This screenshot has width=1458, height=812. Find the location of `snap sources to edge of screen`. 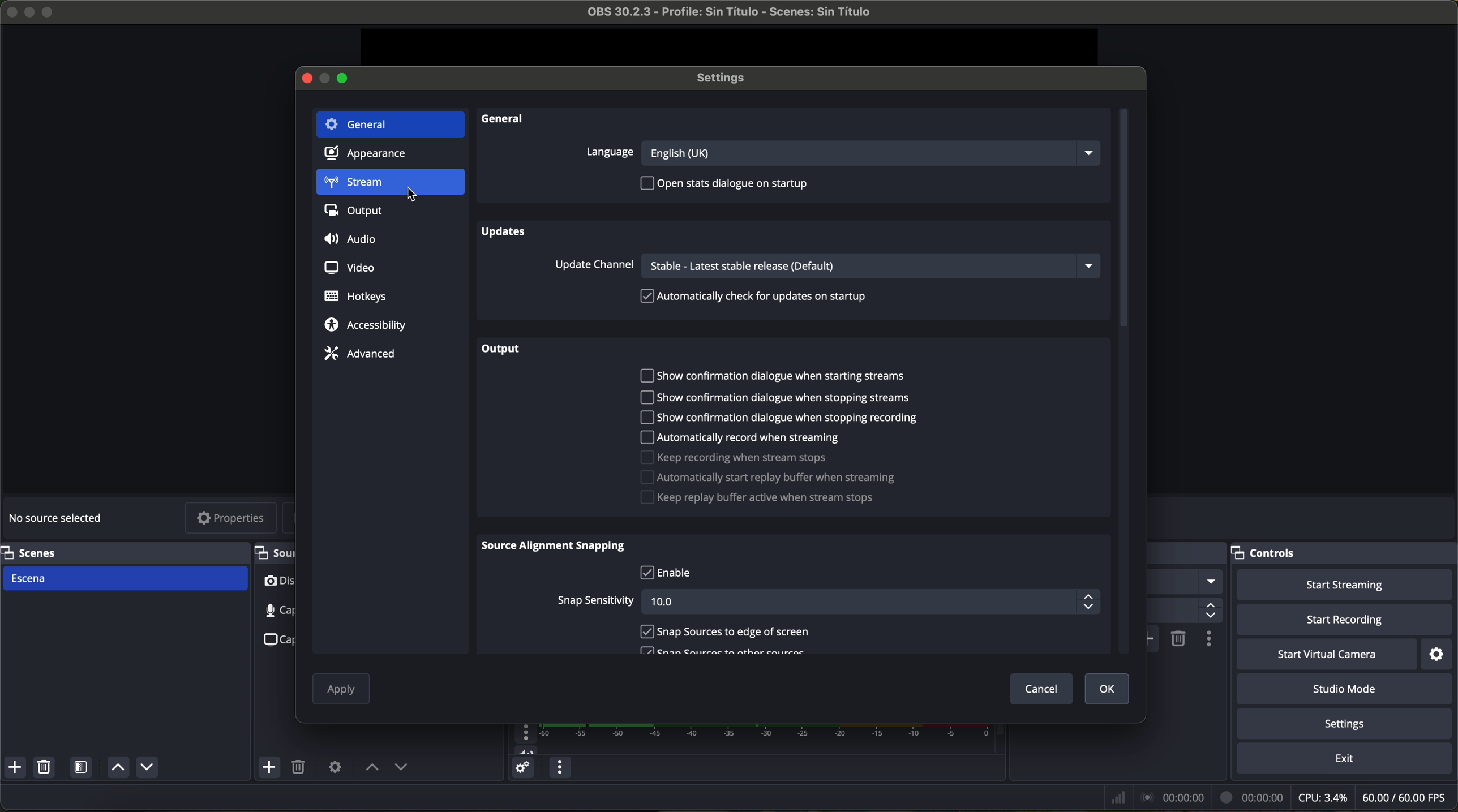

snap sources to edge of screen is located at coordinates (730, 631).